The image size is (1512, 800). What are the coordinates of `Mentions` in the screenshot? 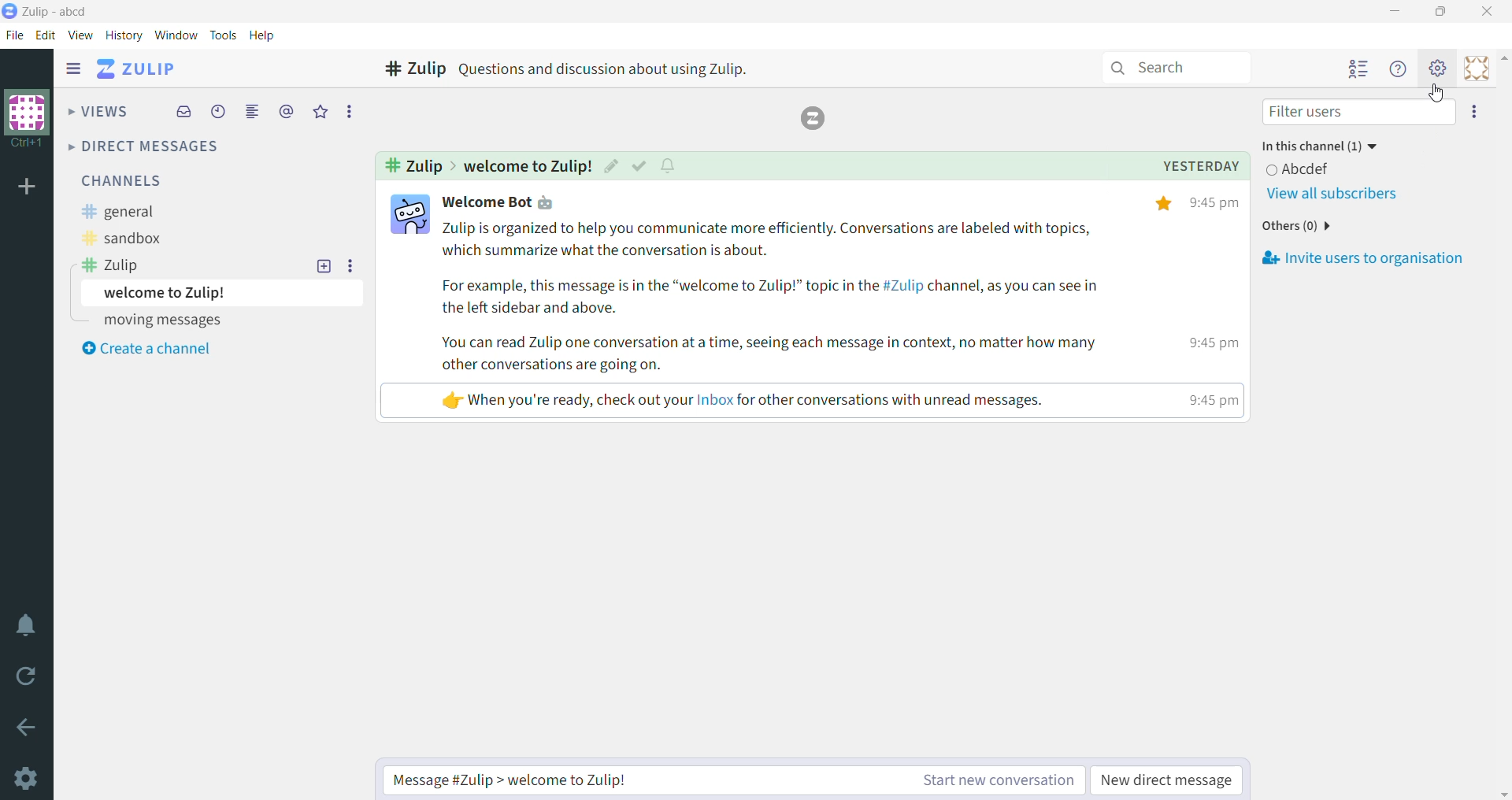 It's located at (287, 112).